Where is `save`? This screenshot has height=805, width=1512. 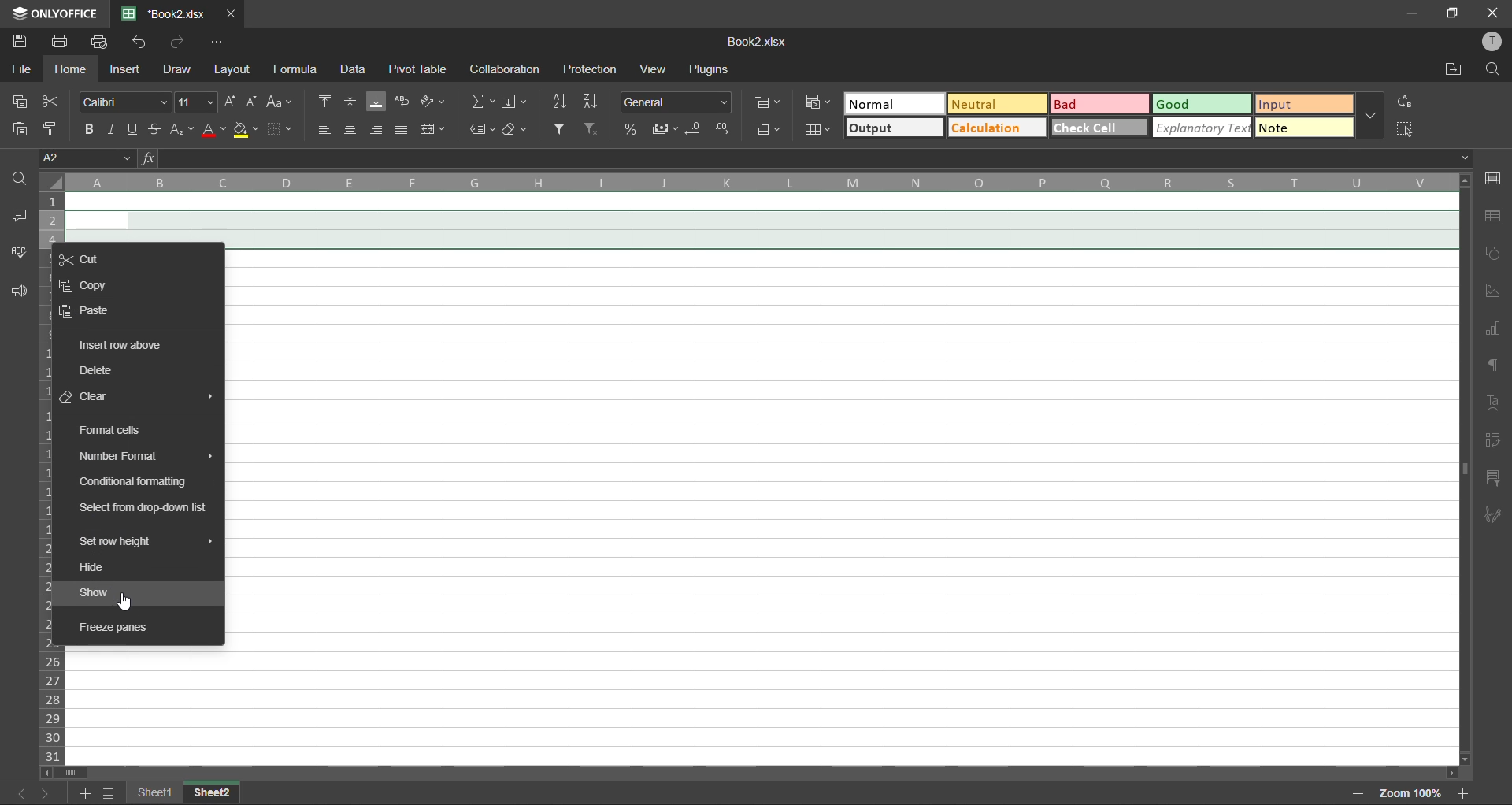 save is located at coordinates (21, 39).